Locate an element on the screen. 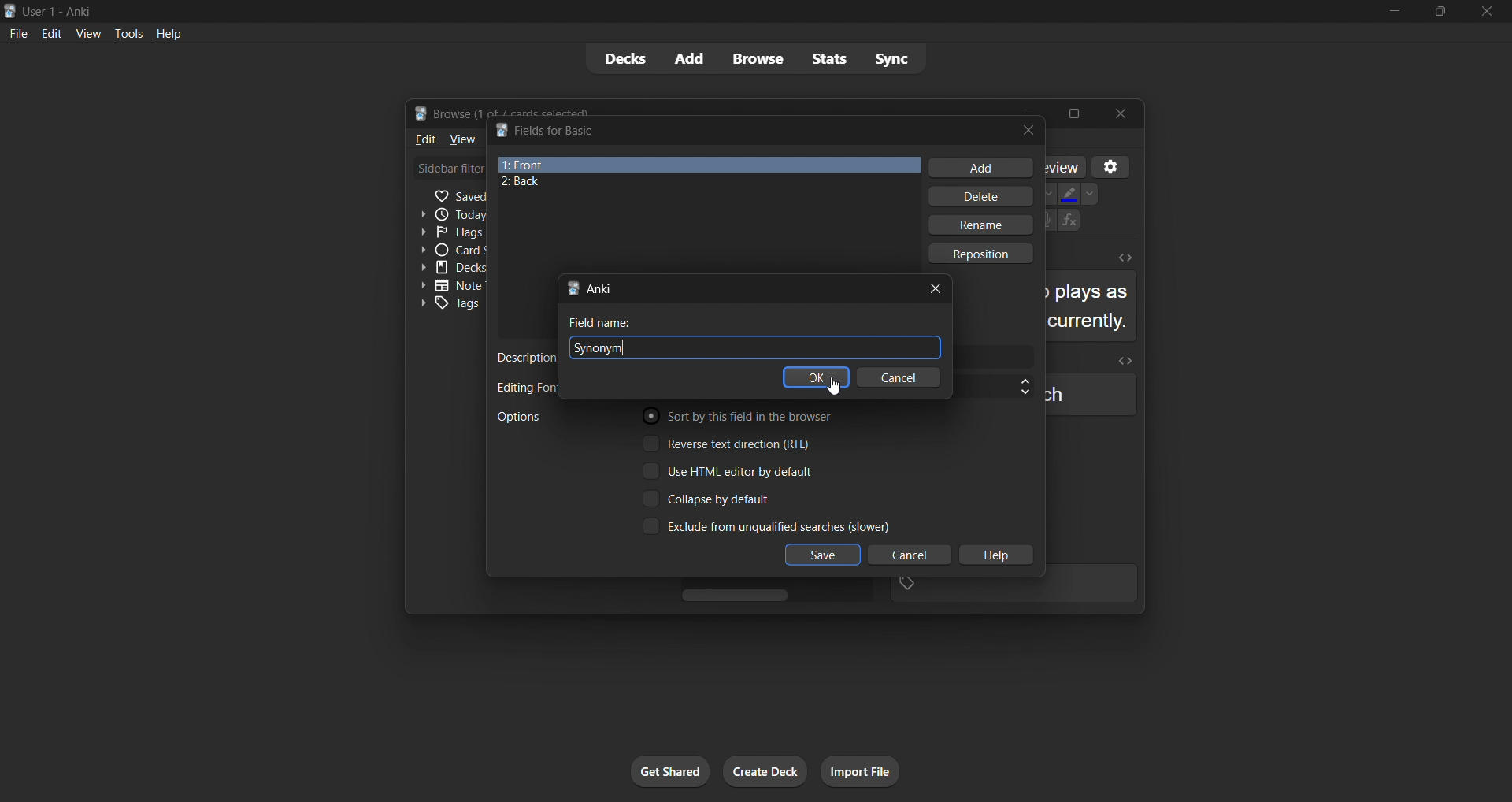 The height and width of the screenshot is (802, 1512). reposition field is located at coordinates (987, 254).